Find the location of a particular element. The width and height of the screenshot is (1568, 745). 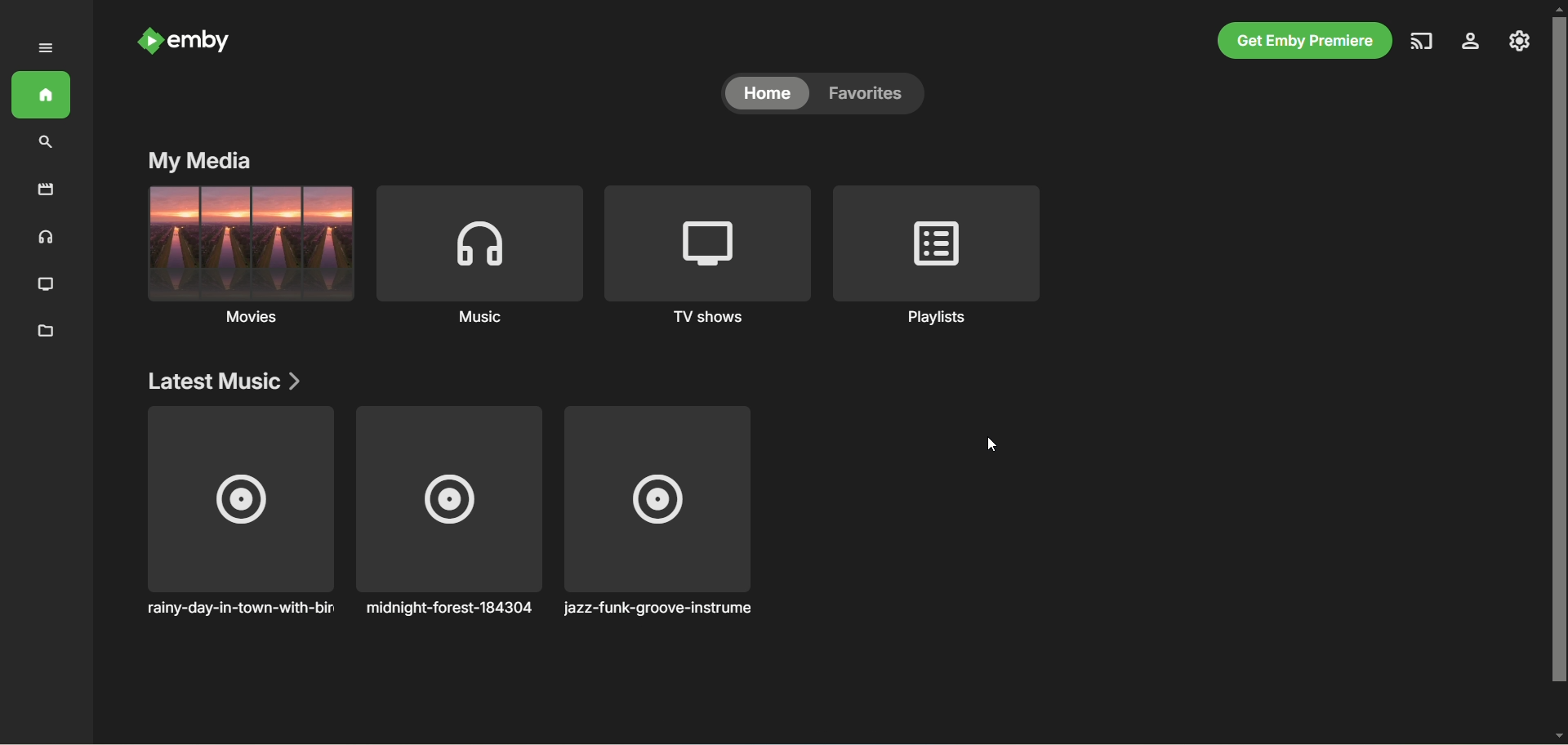

home is located at coordinates (767, 92).